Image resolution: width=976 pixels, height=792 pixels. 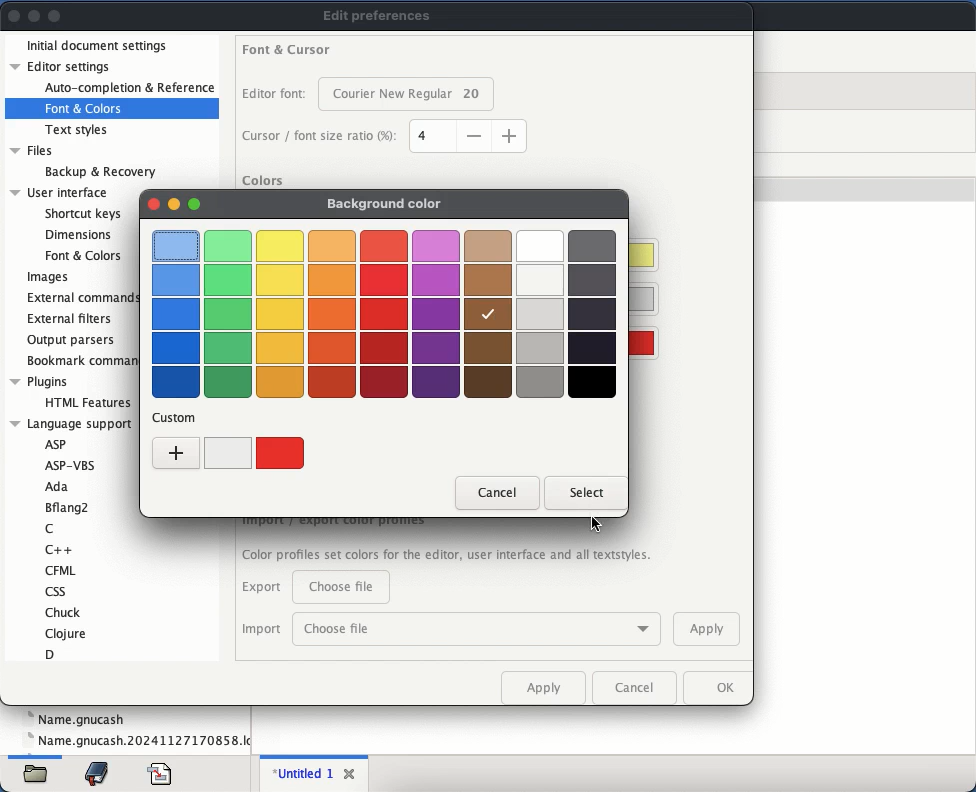 I want to click on name.gnucash, so click(x=78, y=718).